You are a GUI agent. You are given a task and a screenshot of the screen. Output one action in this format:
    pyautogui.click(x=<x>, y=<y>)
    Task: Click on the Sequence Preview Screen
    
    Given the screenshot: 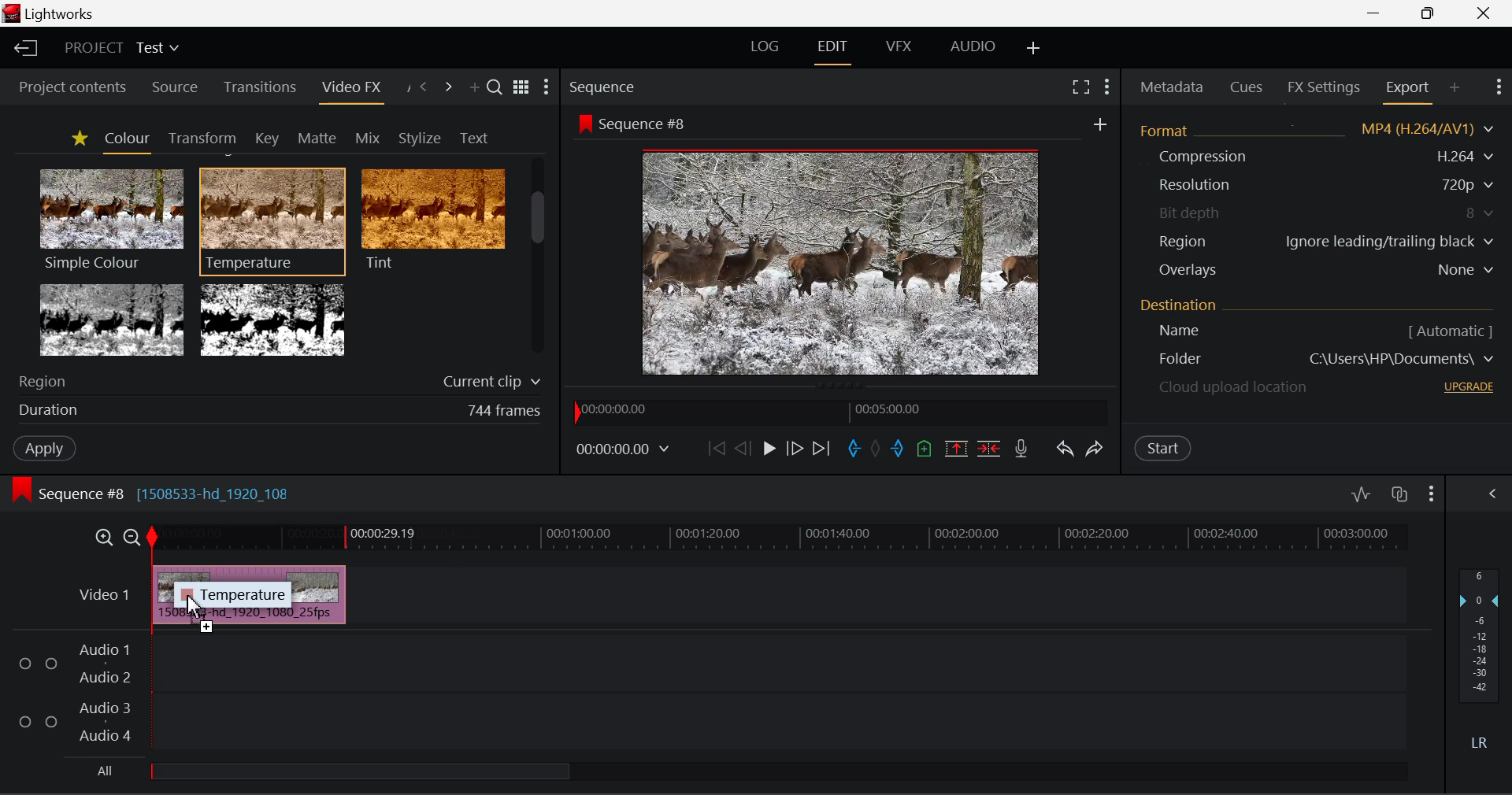 What is the action you would take?
    pyautogui.click(x=844, y=261)
    